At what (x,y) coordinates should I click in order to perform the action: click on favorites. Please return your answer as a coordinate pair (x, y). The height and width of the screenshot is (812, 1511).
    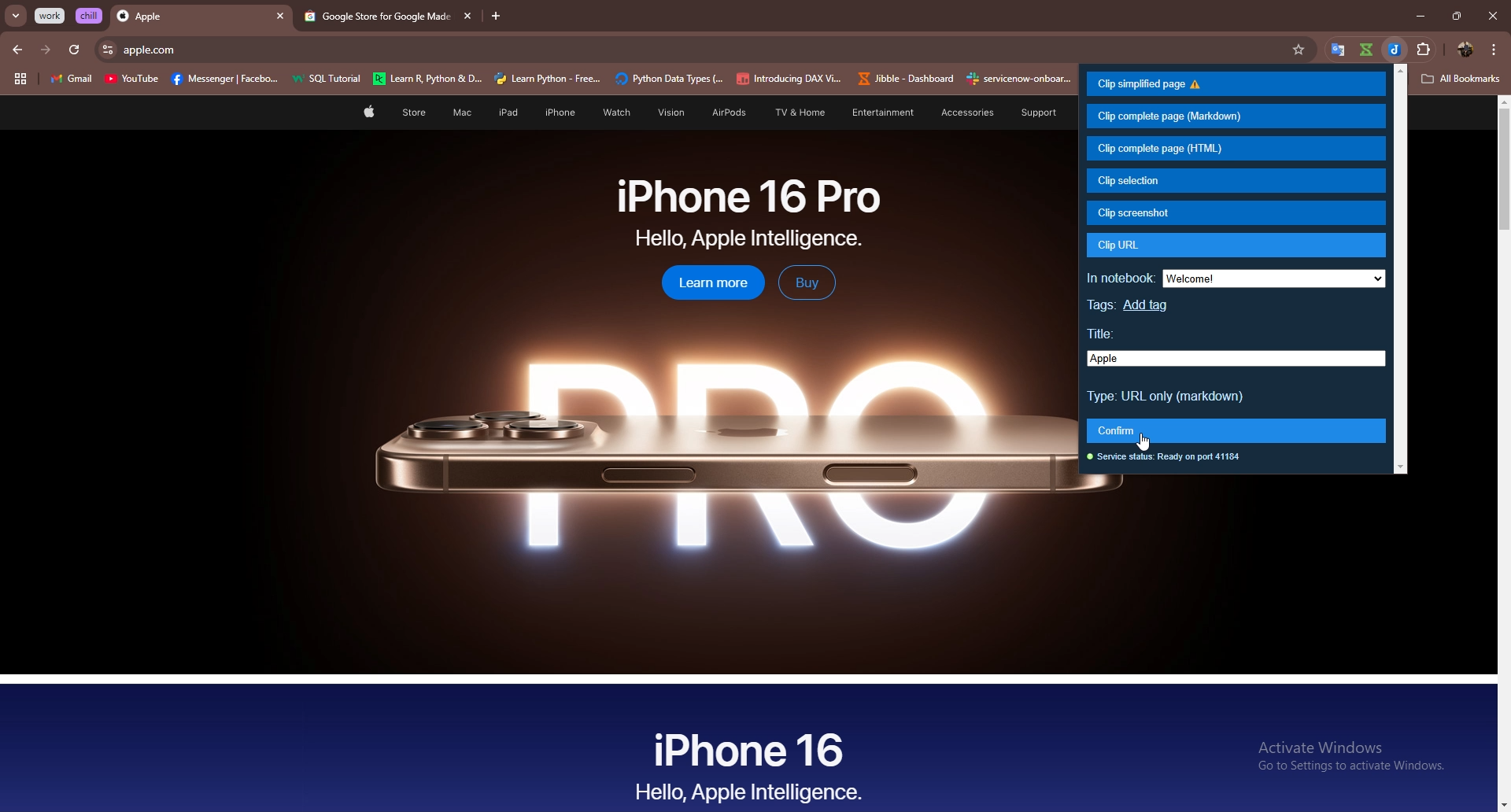
    Looking at the image, I should click on (1305, 50).